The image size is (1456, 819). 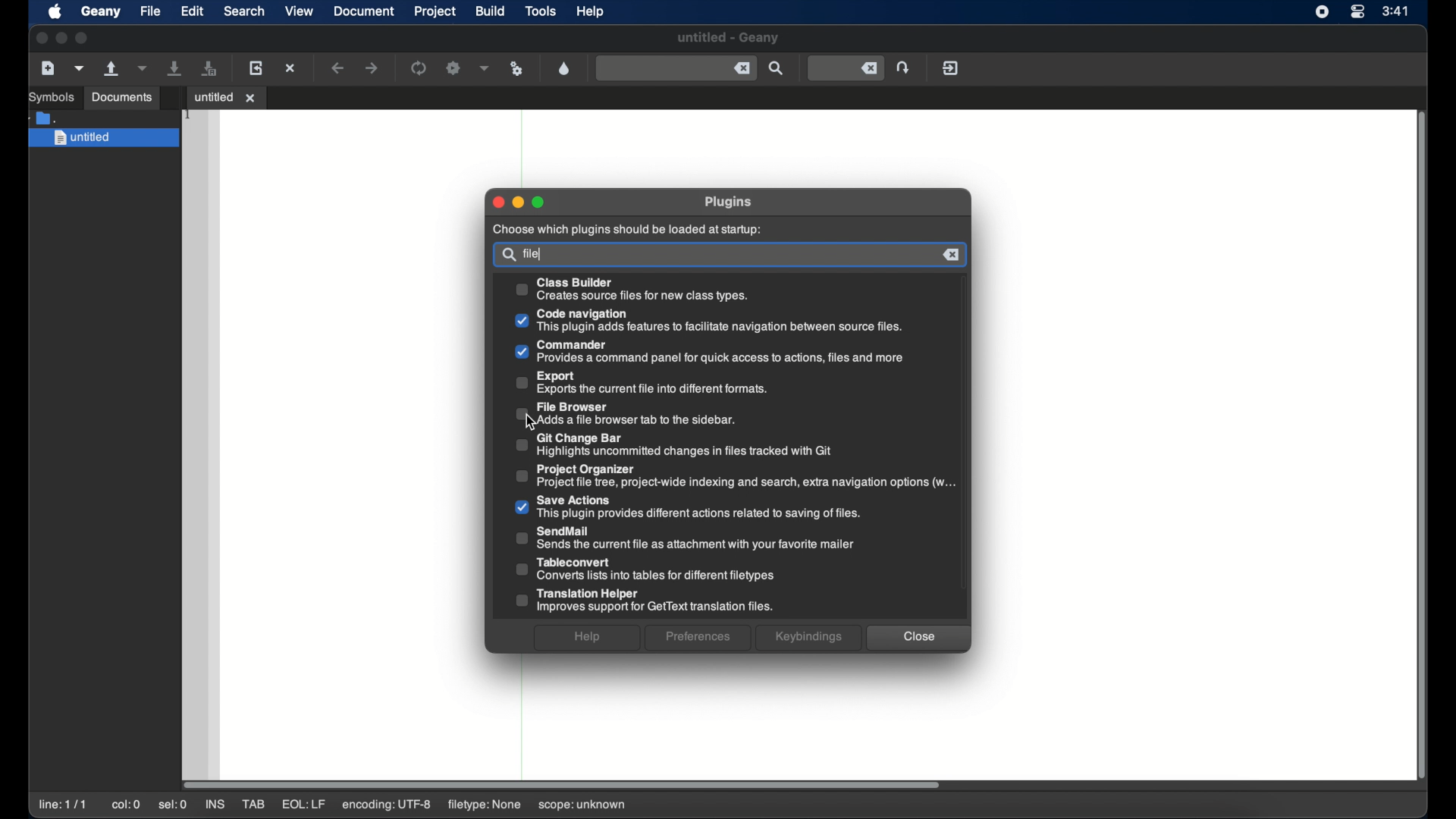 I want to click on 1, so click(x=189, y=115).